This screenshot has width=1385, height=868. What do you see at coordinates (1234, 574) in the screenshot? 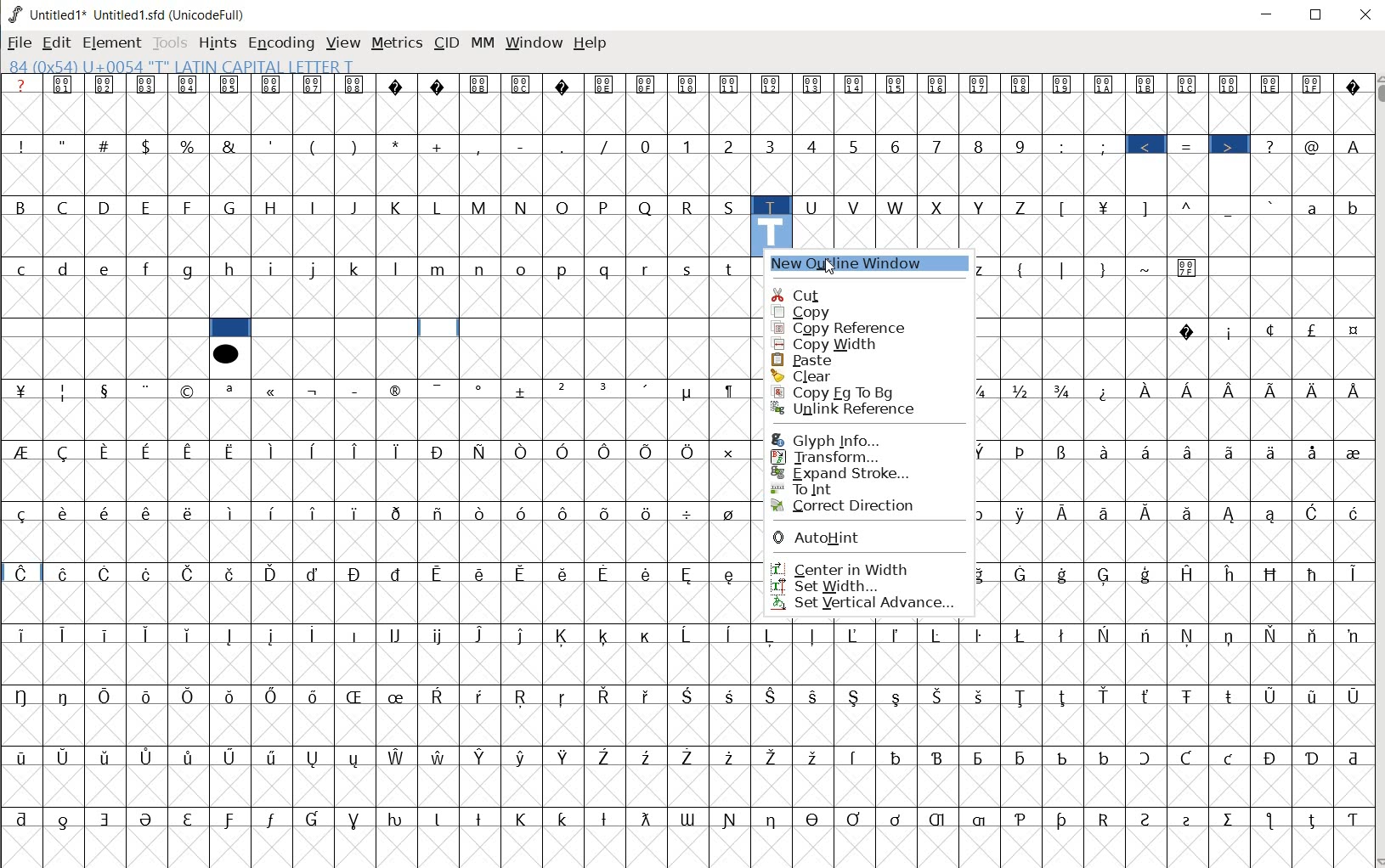
I see `Symbol` at bounding box center [1234, 574].